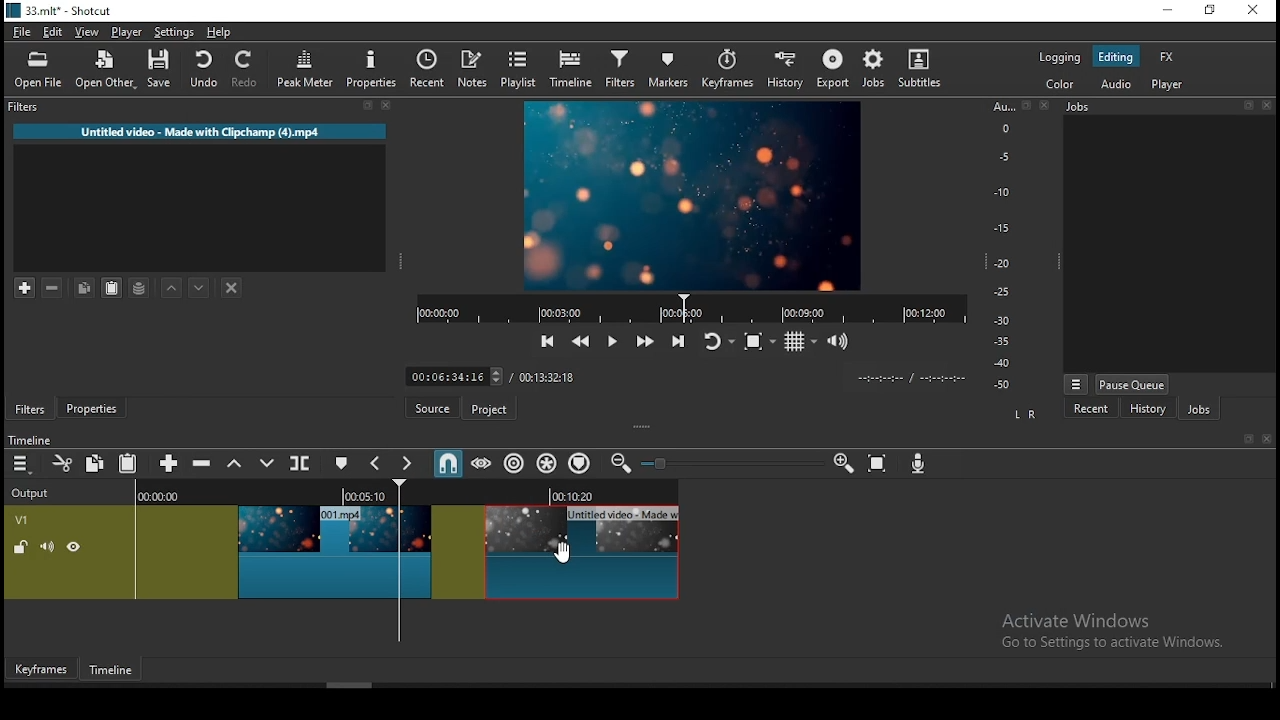 The height and width of the screenshot is (720, 1280). What do you see at coordinates (1247, 440) in the screenshot?
I see `` at bounding box center [1247, 440].